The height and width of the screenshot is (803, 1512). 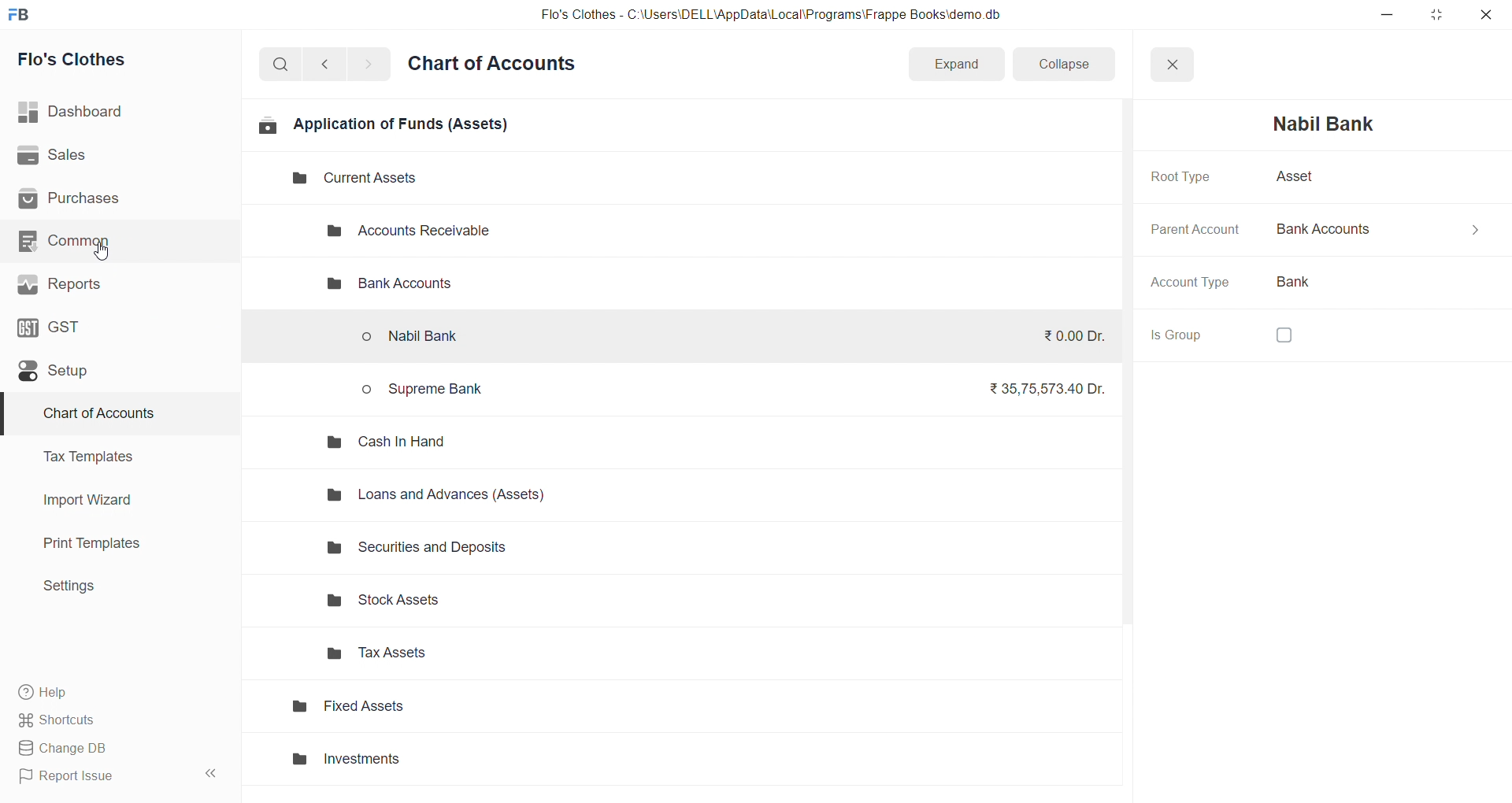 What do you see at coordinates (111, 240) in the screenshot?
I see `Common` at bounding box center [111, 240].